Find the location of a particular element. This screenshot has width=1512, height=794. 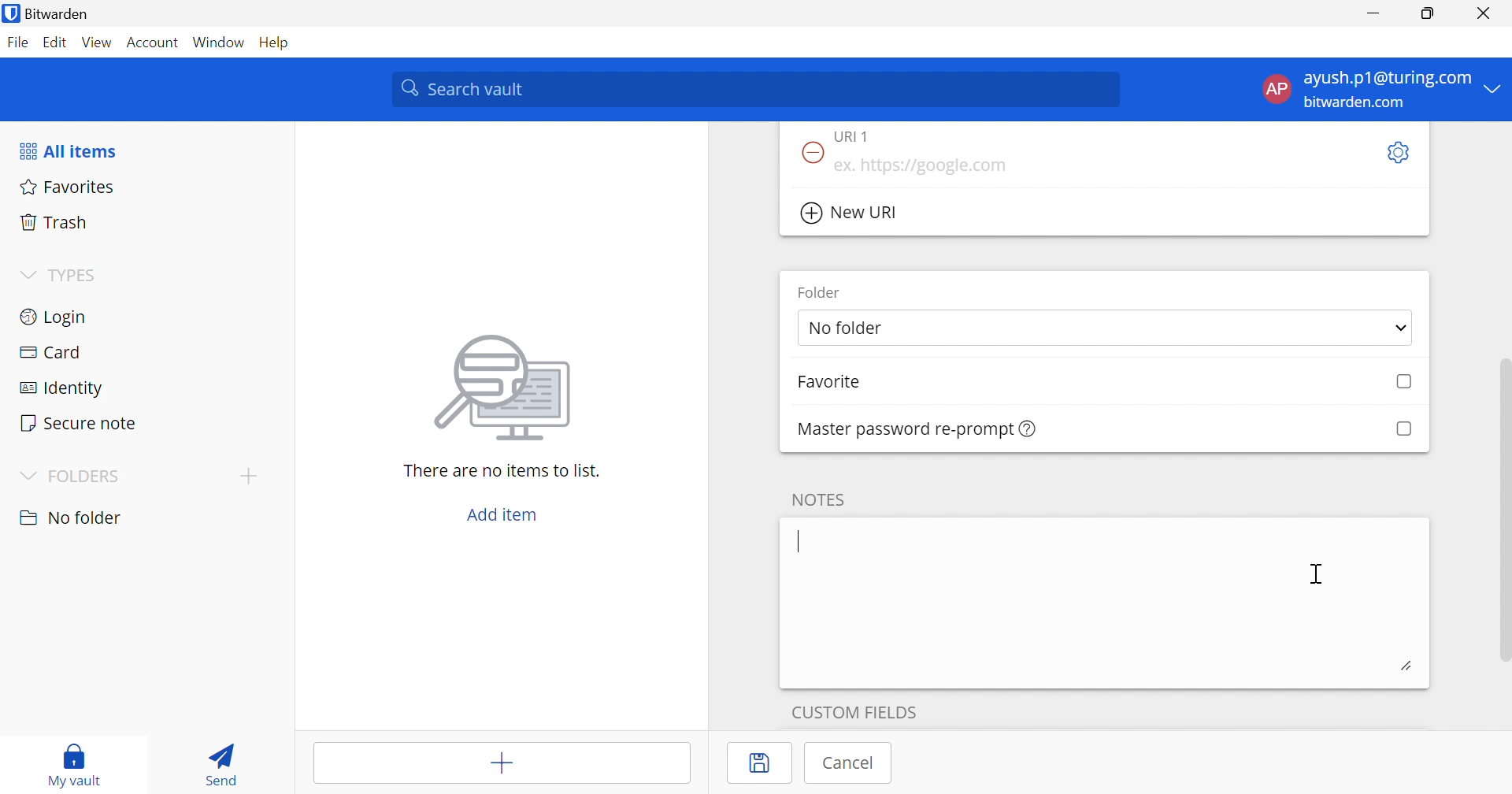

Settings is located at coordinates (1396, 154).